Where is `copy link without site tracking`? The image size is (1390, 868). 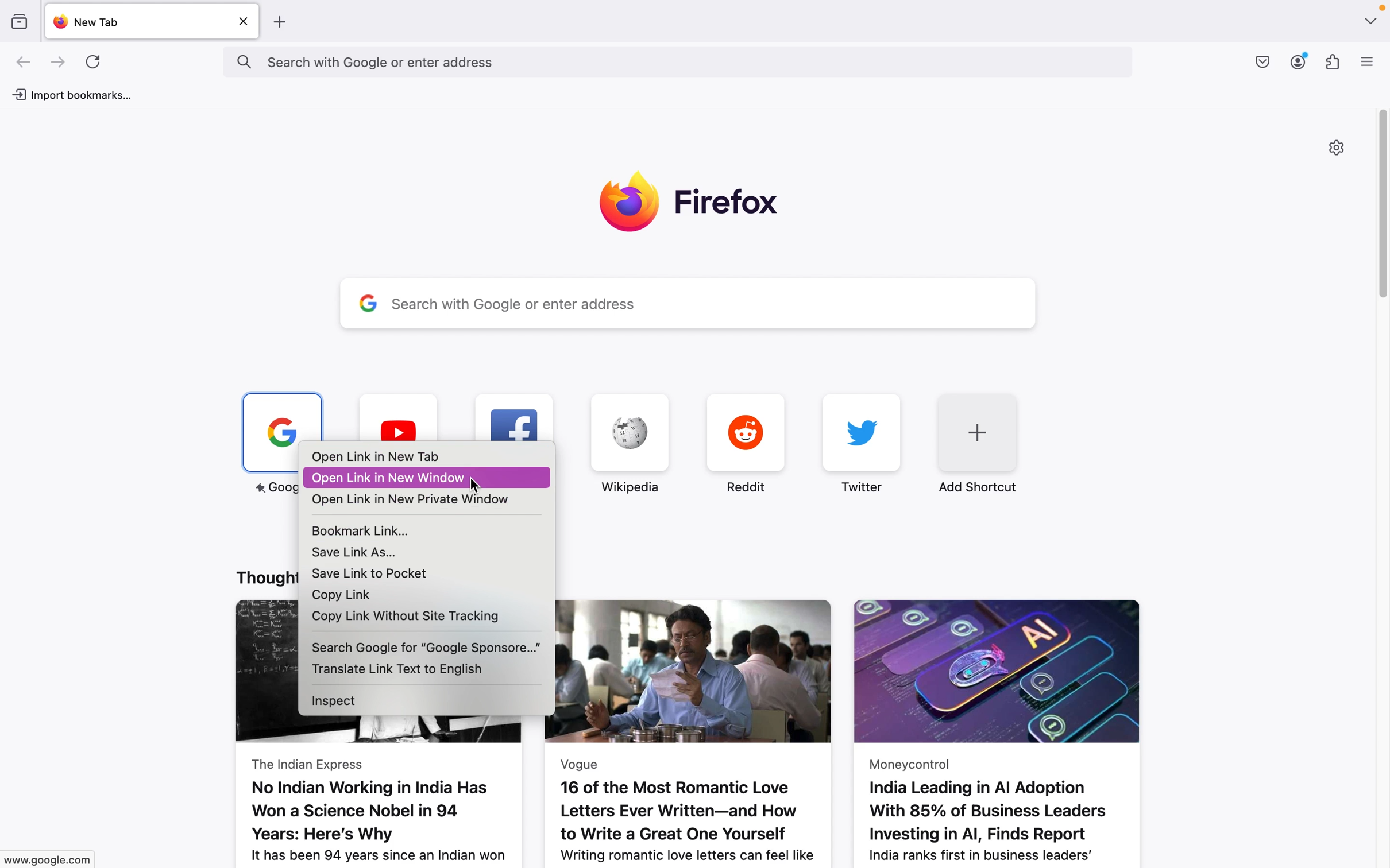
copy link without site tracking is located at coordinates (410, 617).